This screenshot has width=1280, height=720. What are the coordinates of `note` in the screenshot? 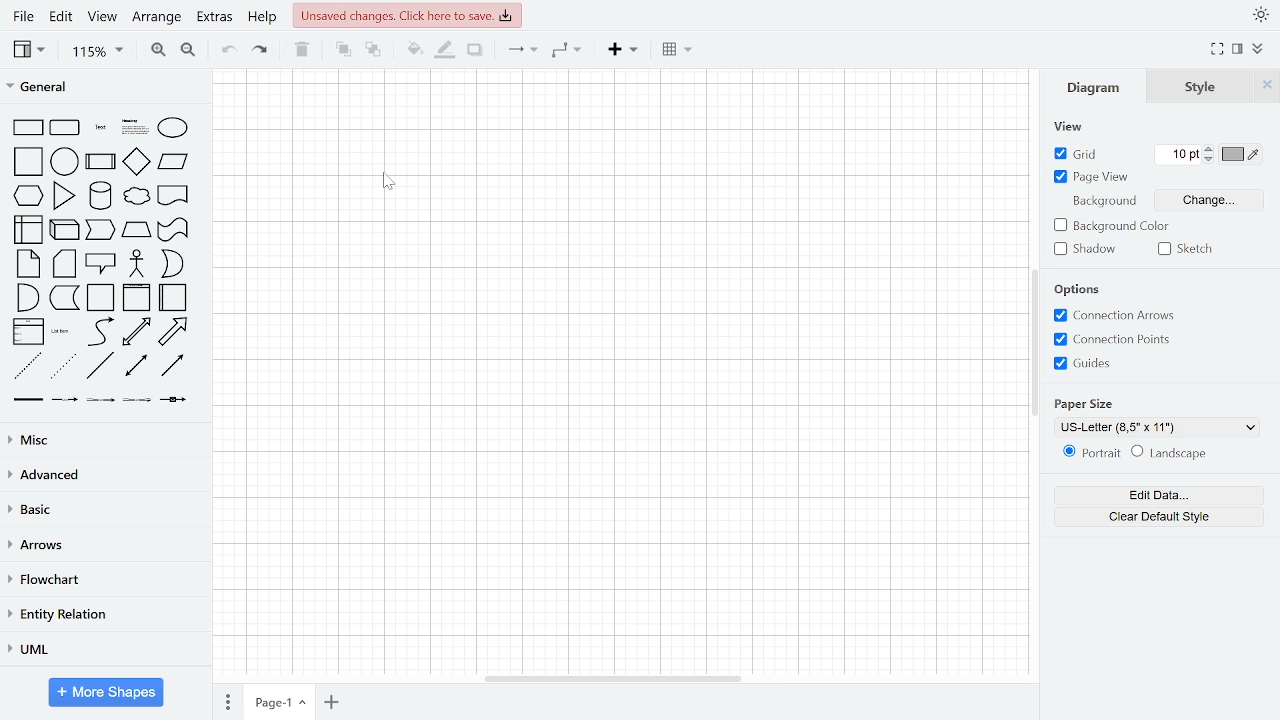 It's located at (28, 263).